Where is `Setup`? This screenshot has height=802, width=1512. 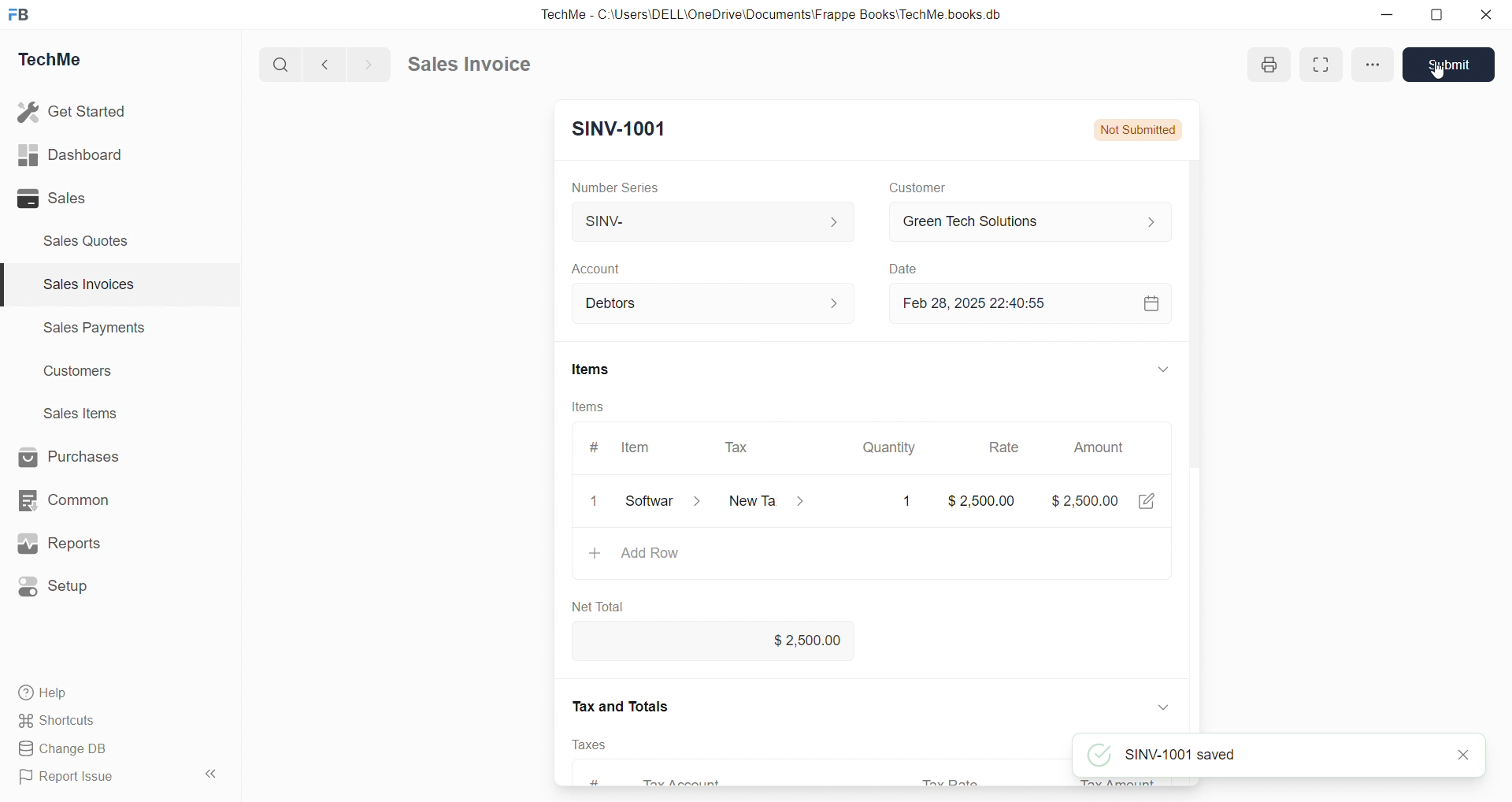 Setup is located at coordinates (55, 587).